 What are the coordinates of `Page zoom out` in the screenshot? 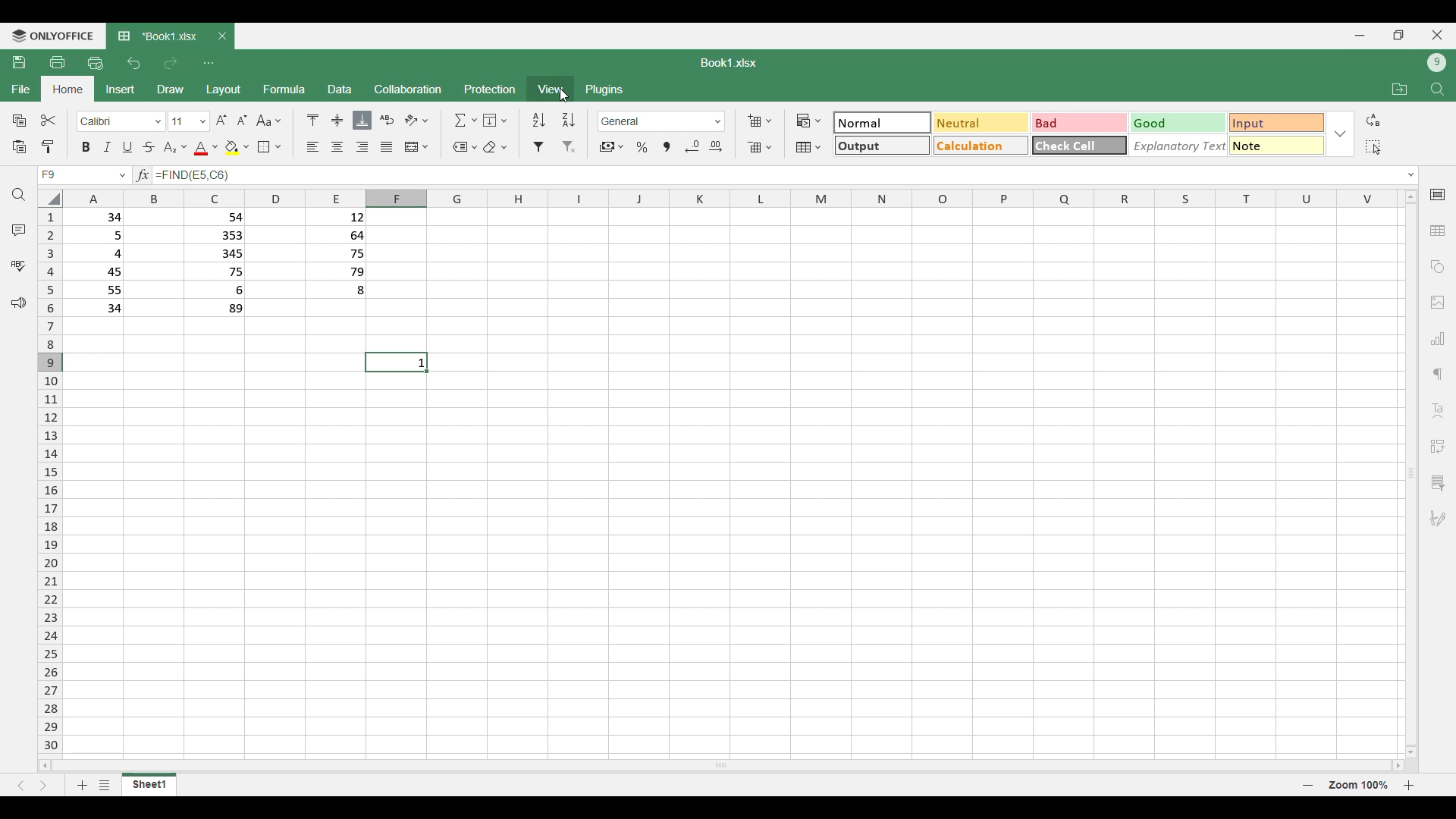 It's located at (1308, 786).